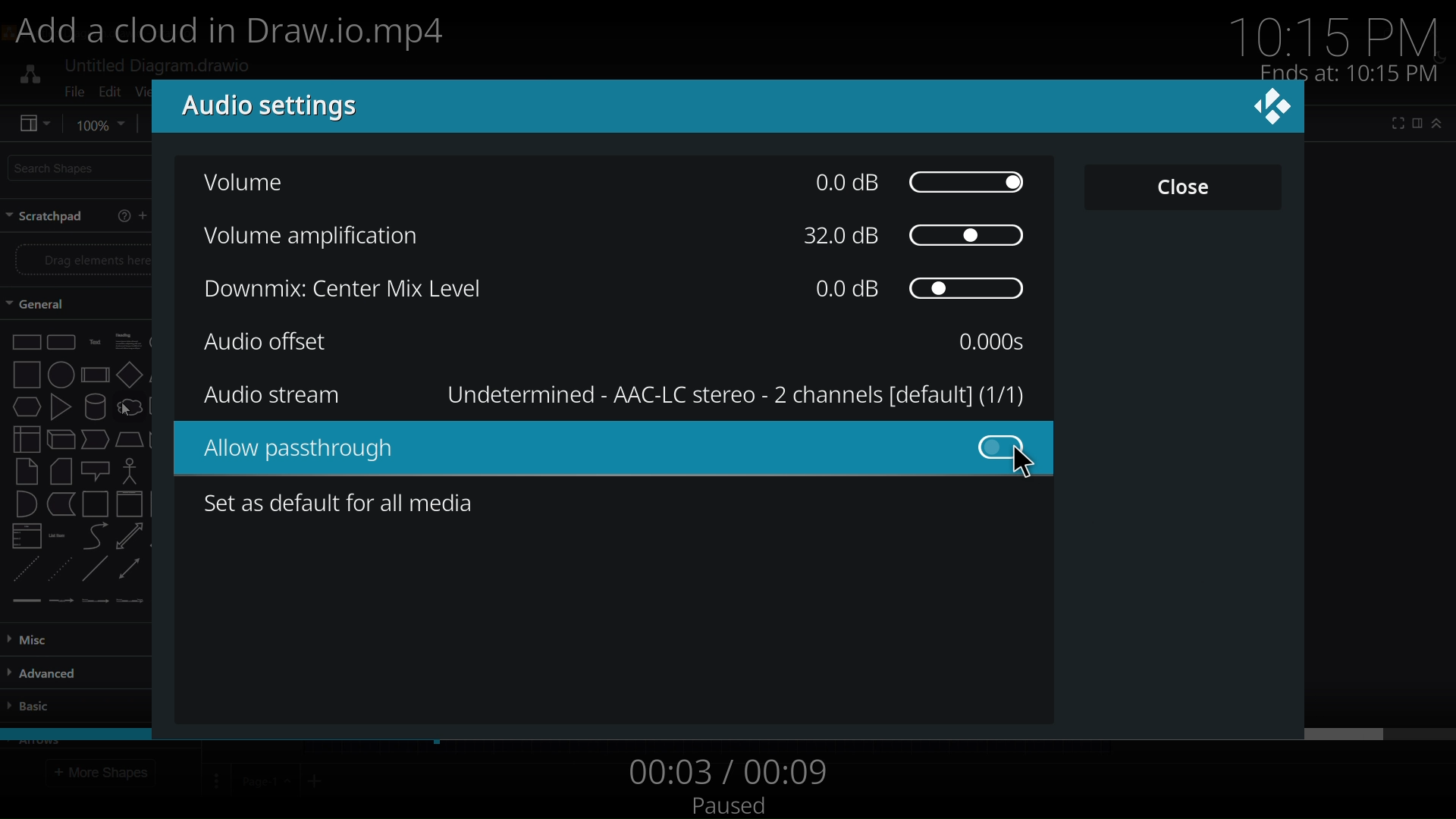  Describe the element at coordinates (282, 397) in the screenshot. I see `audio stream` at that location.